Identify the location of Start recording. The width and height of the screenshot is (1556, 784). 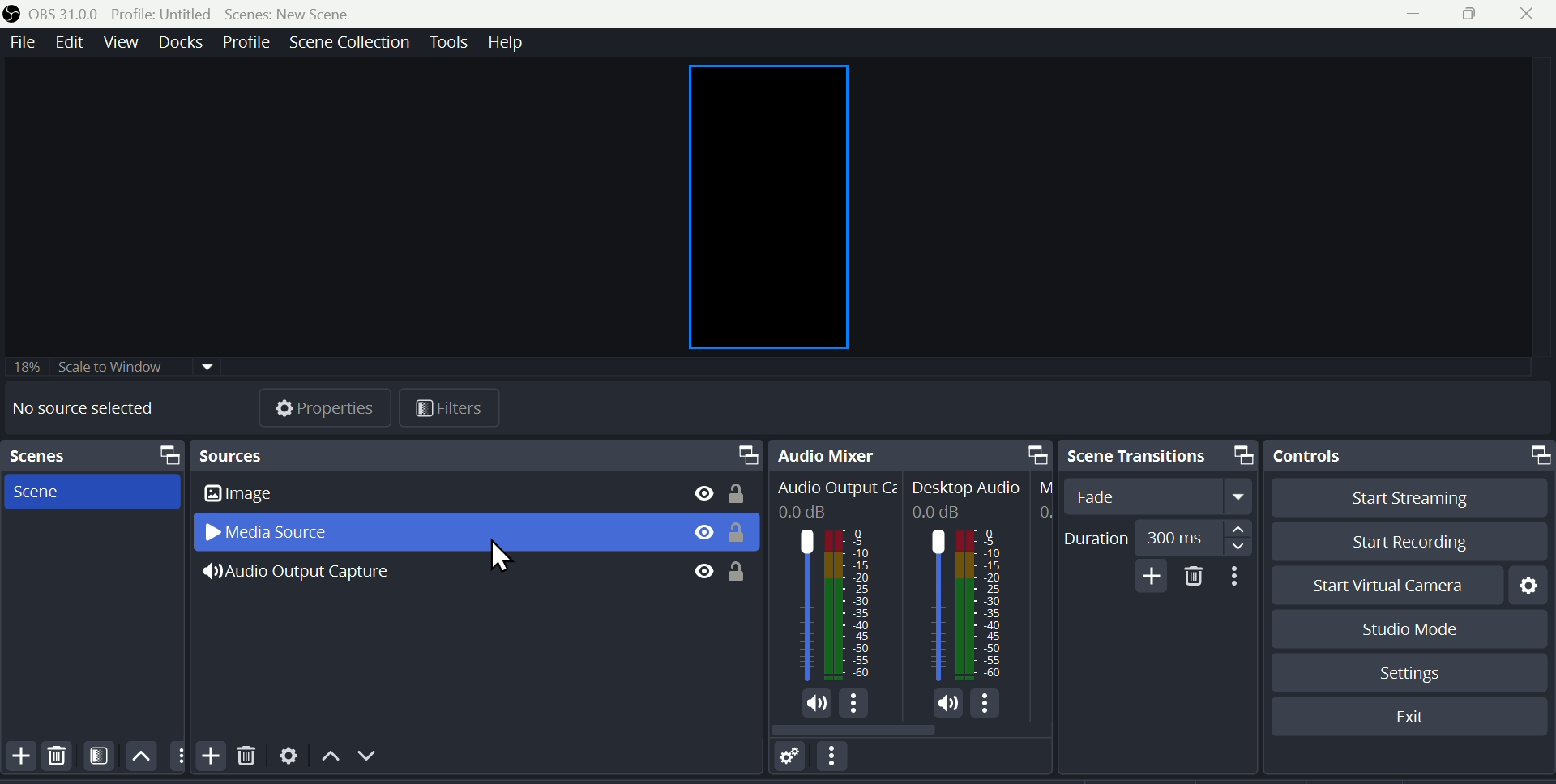
(1399, 539).